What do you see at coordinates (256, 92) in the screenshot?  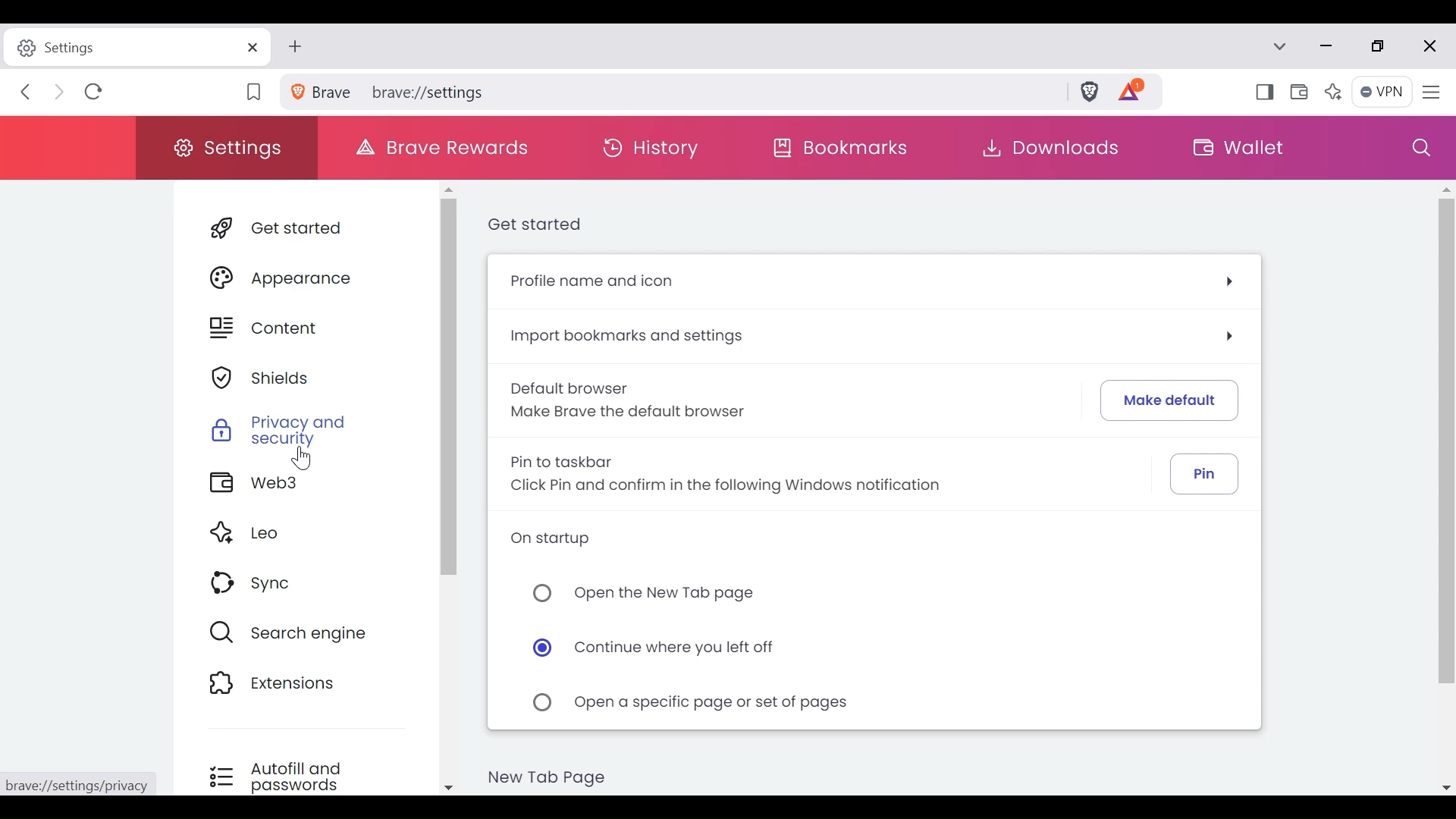 I see `Bookmark this Tab` at bounding box center [256, 92].